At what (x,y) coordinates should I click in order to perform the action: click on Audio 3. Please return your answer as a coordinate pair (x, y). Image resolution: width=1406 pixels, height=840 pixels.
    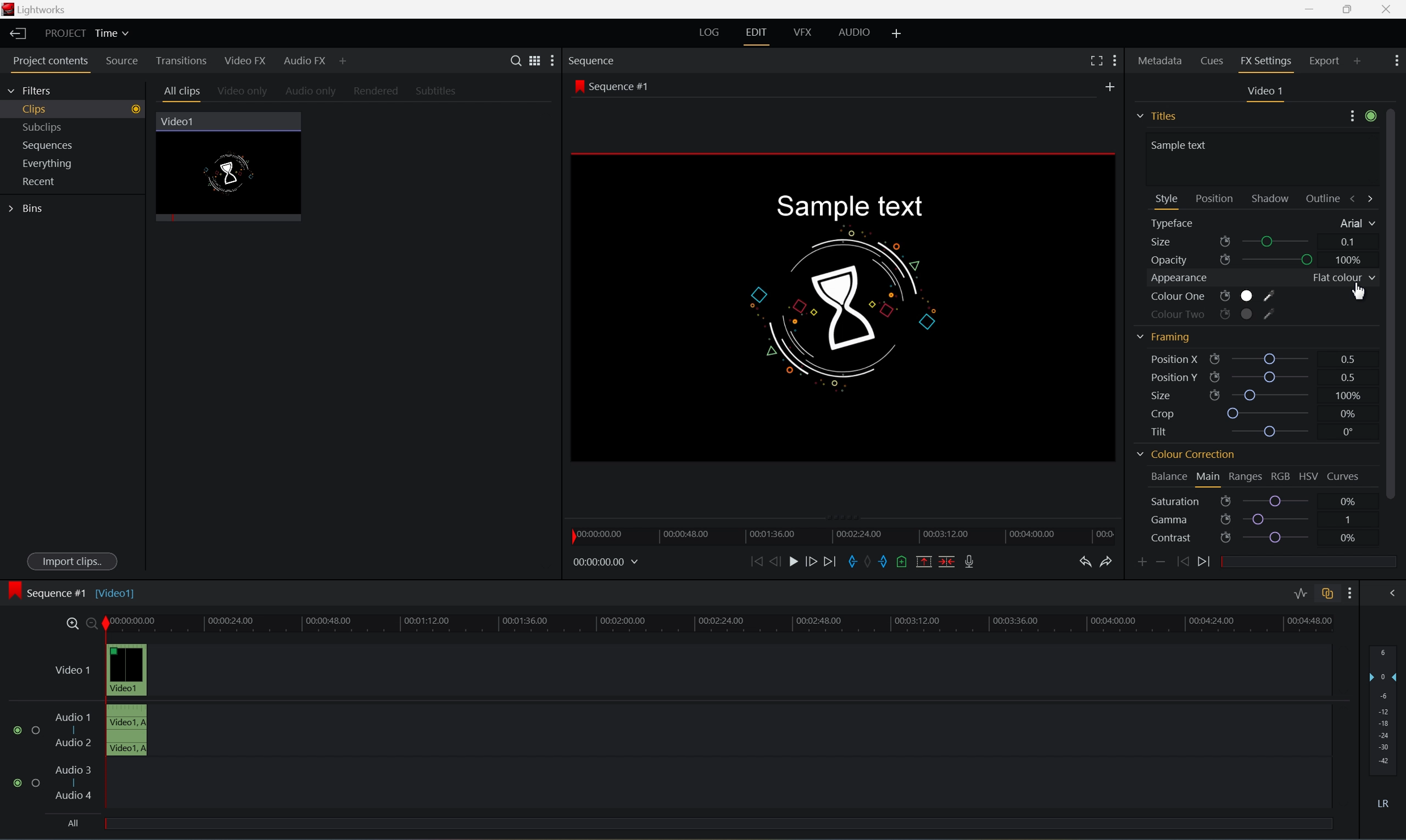
    Looking at the image, I should click on (73, 769).